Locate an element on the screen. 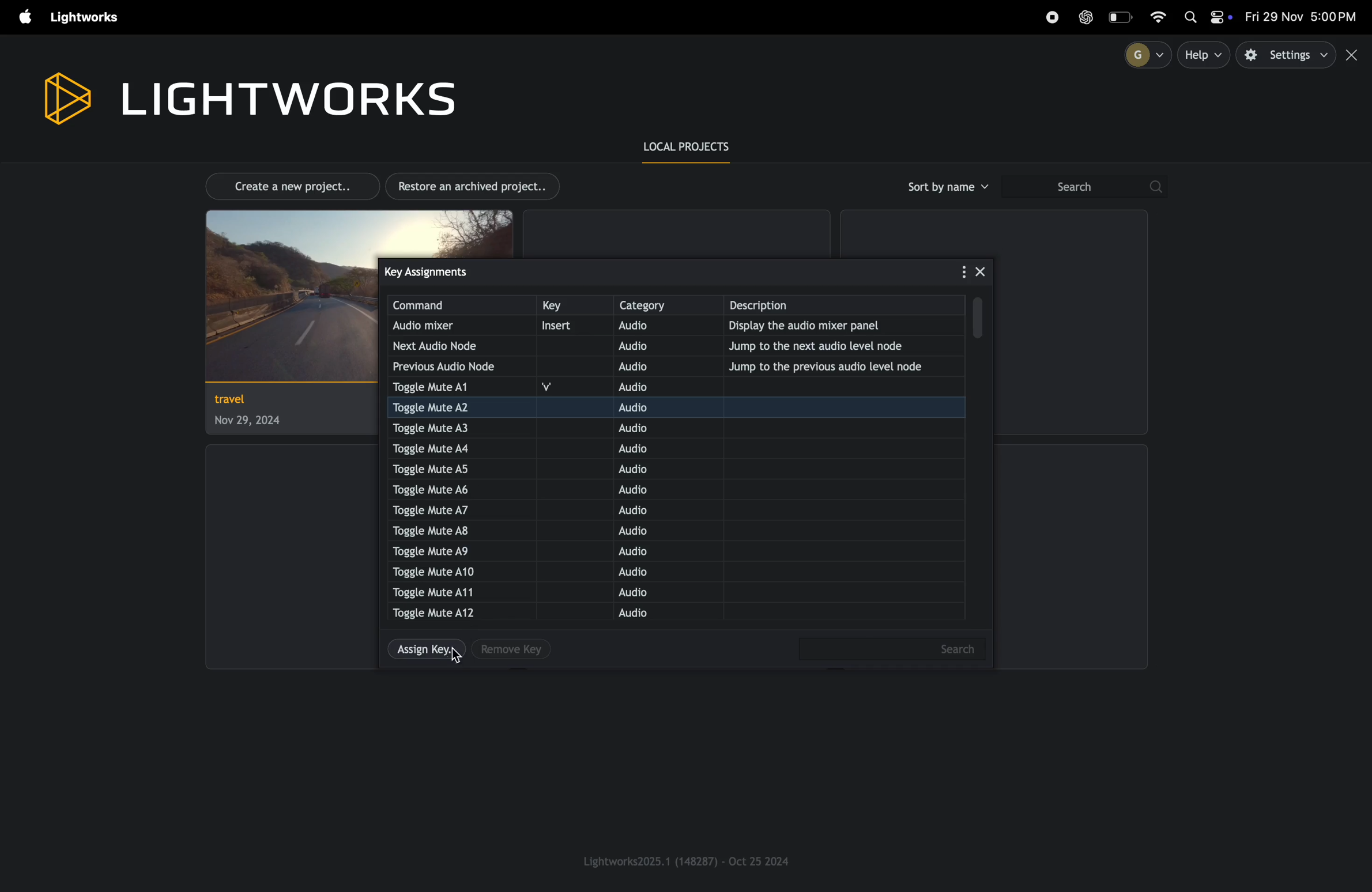 The height and width of the screenshot is (892, 1372). toggle mute A10 is located at coordinates (435, 572).